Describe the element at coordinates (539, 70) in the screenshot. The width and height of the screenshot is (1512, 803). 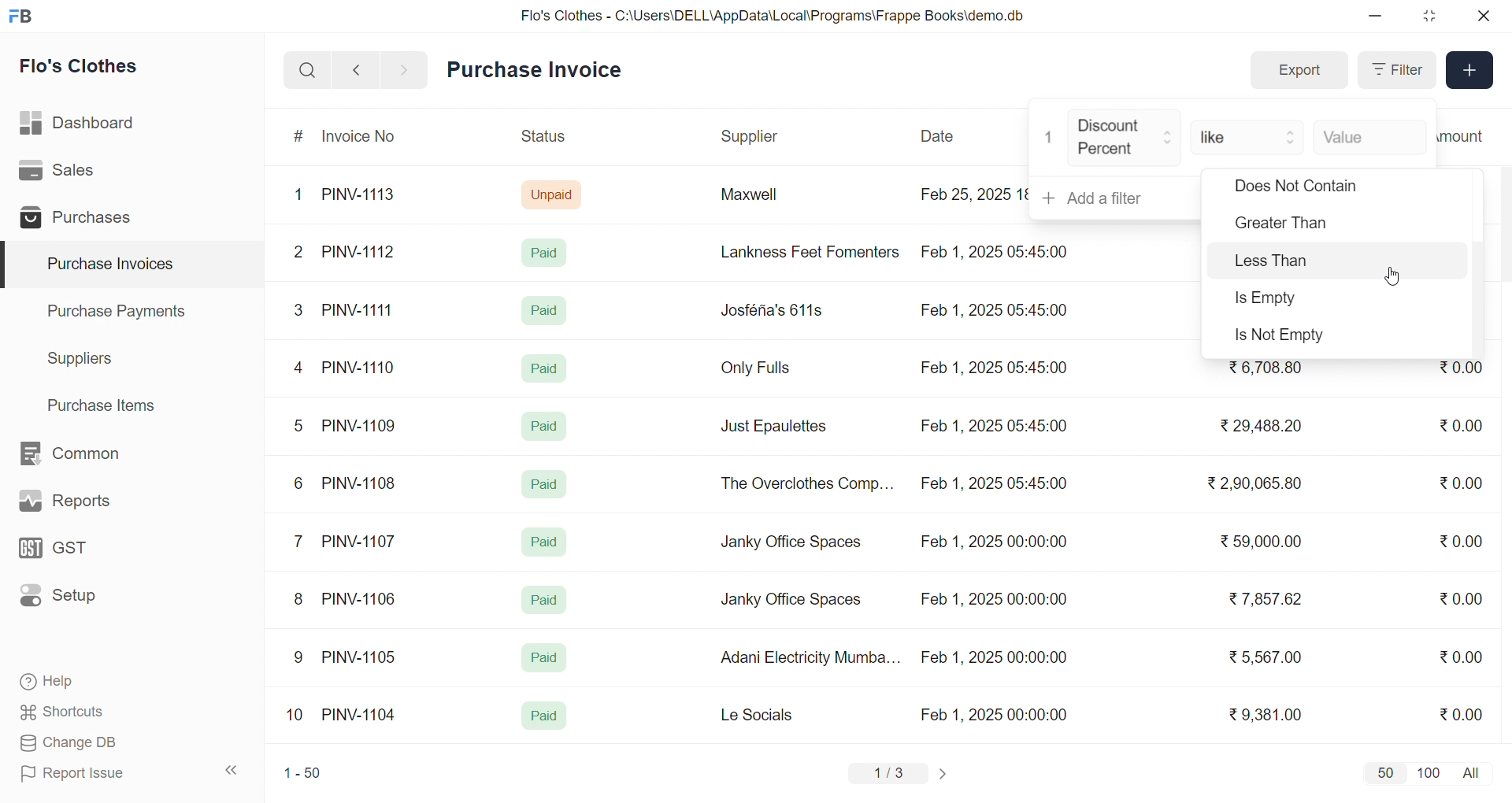
I see `Purchase Invoice` at that location.